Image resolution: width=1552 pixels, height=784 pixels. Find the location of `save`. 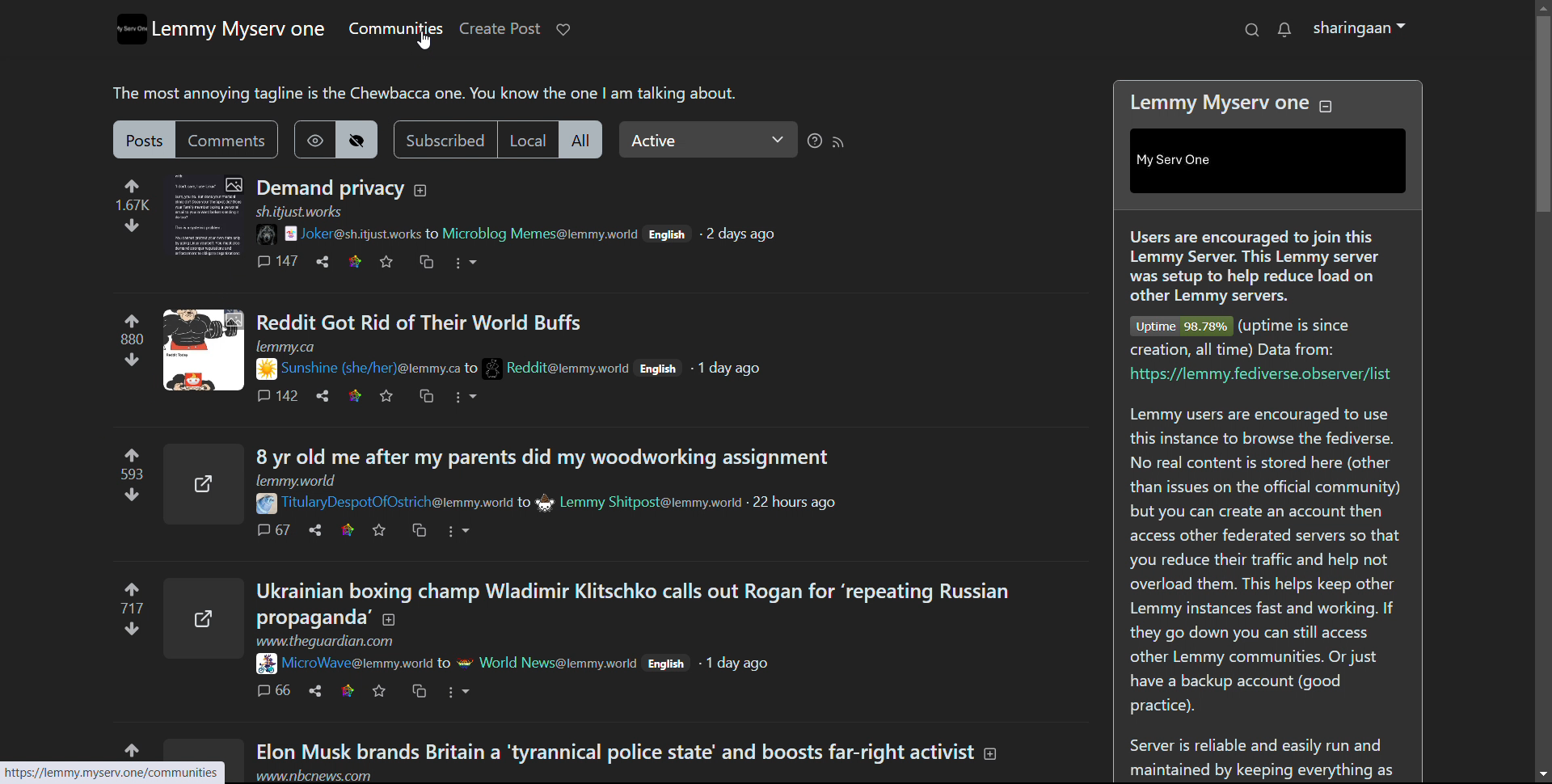

save is located at coordinates (389, 396).